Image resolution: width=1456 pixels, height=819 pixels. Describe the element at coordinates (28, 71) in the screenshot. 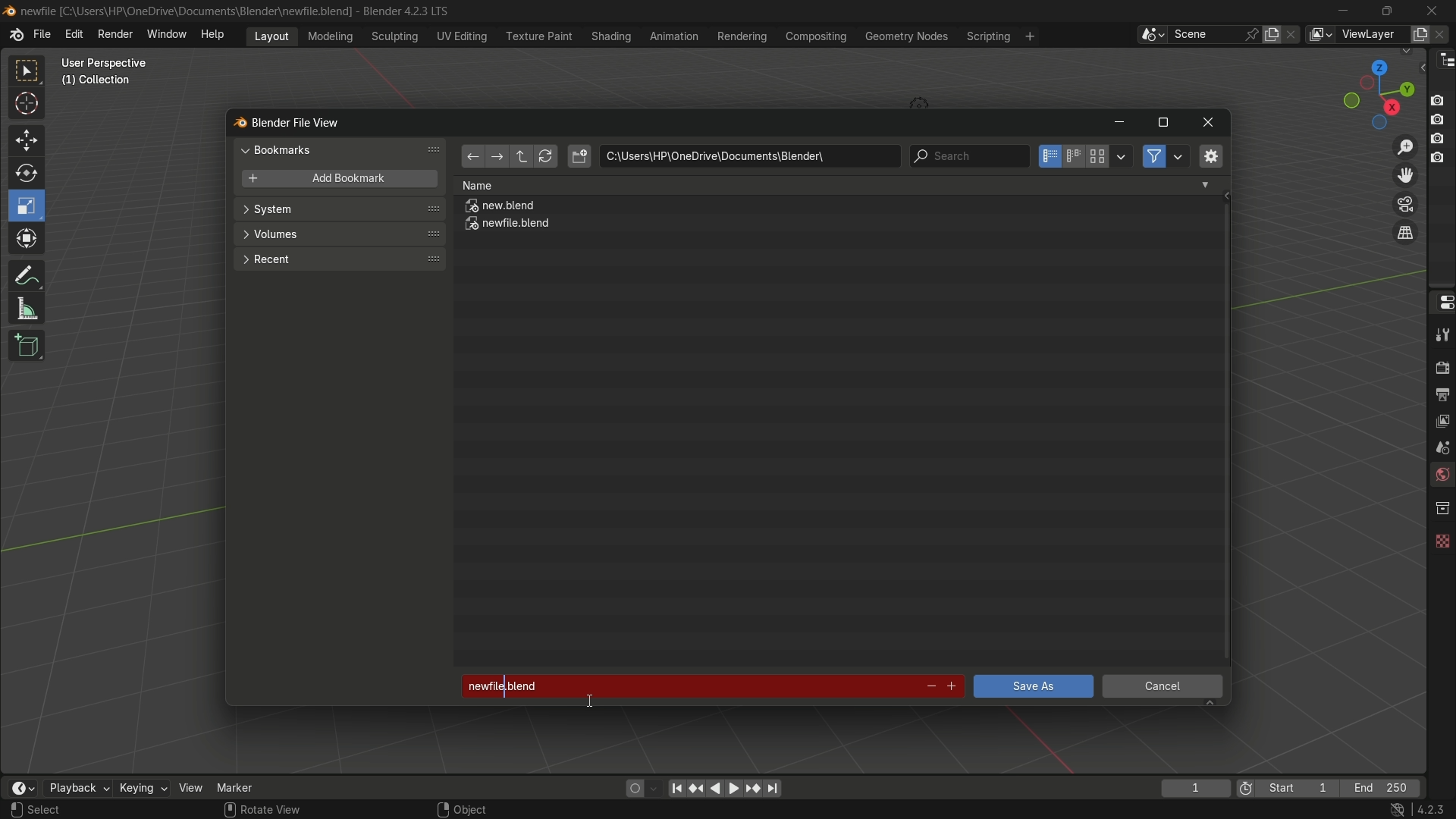

I see `select box` at that location.